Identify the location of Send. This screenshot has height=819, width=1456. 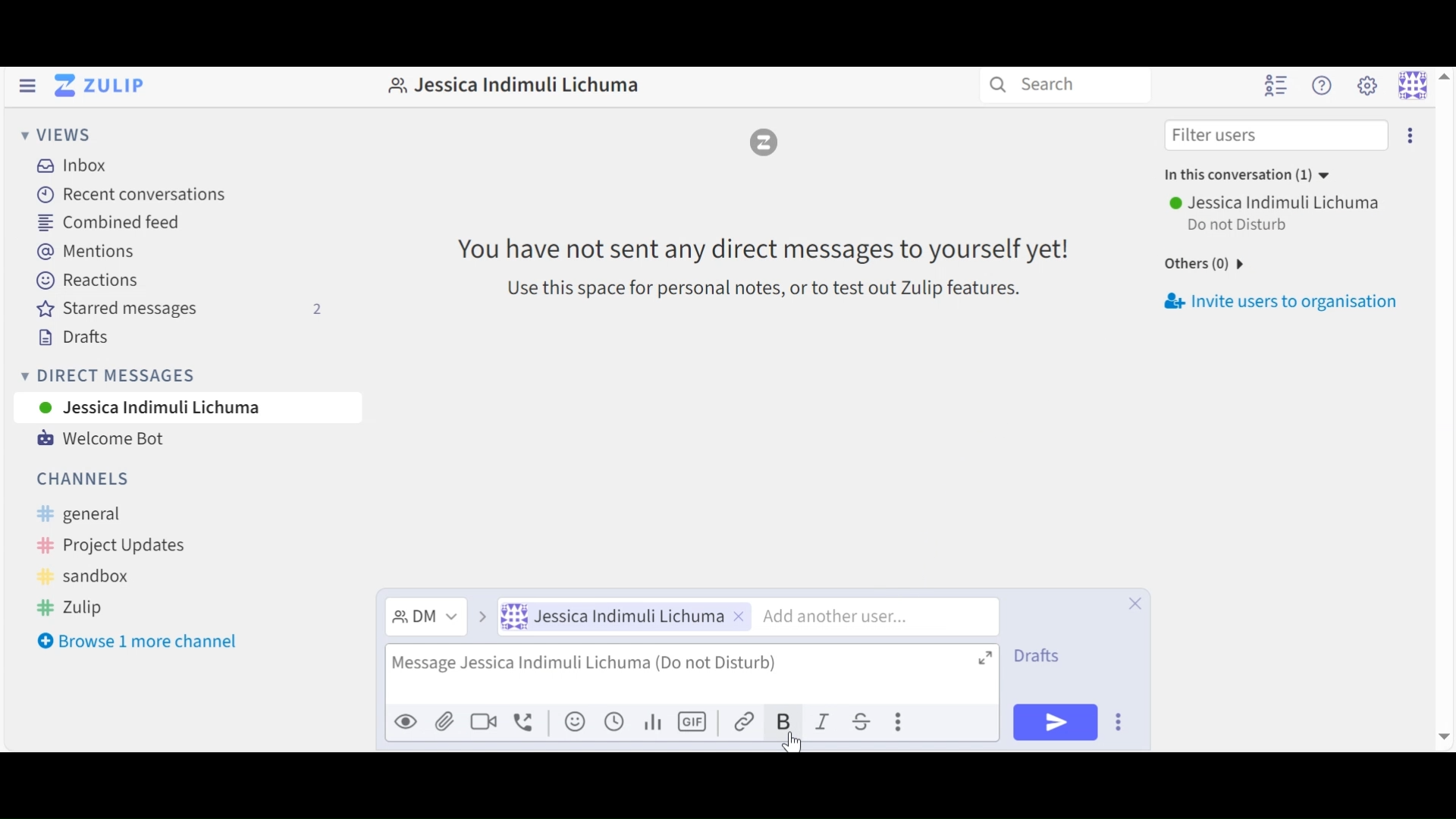
(1055, 721).